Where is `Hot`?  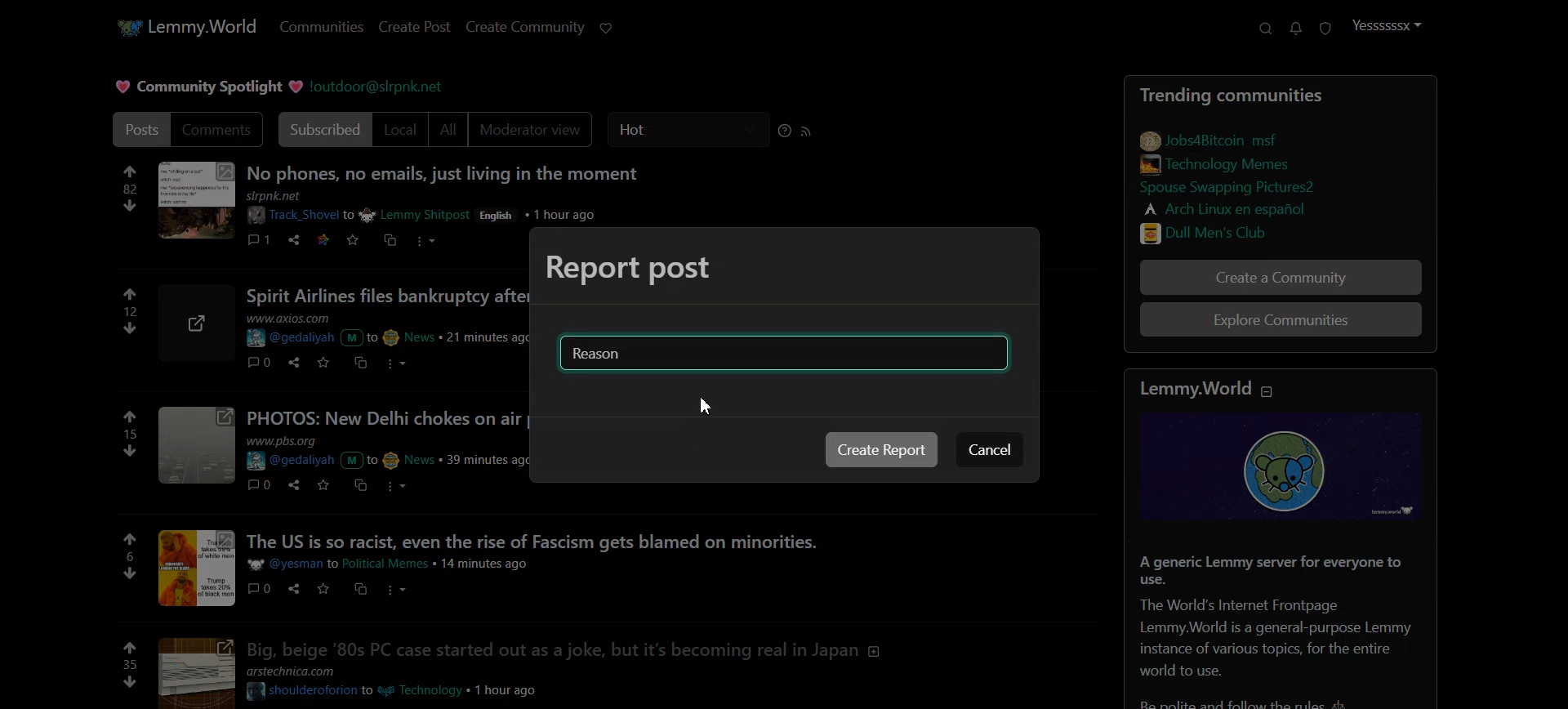
Hot is located at coordinates (688, 130).